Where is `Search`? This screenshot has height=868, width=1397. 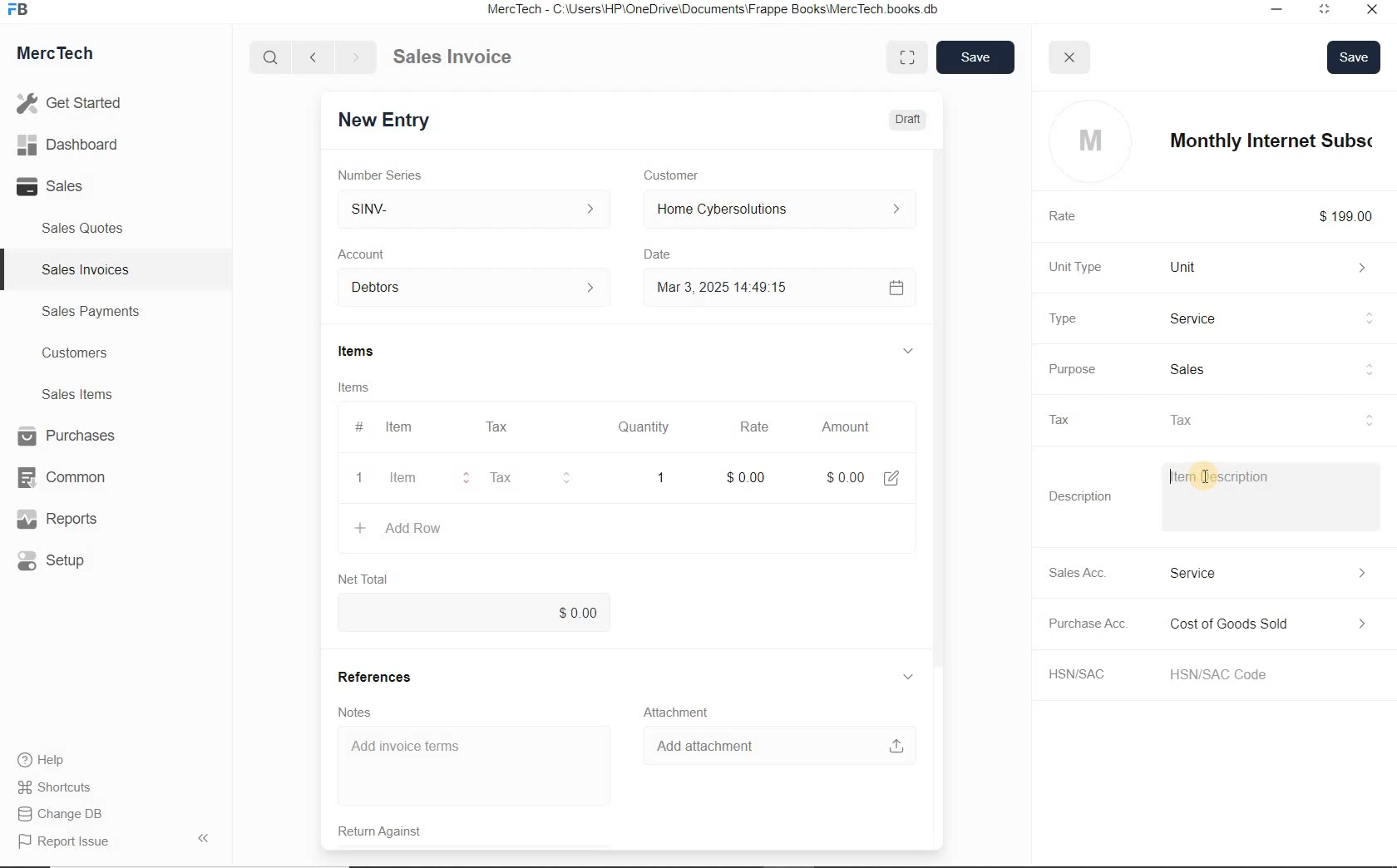 Search is located at coordinates (272, 57).